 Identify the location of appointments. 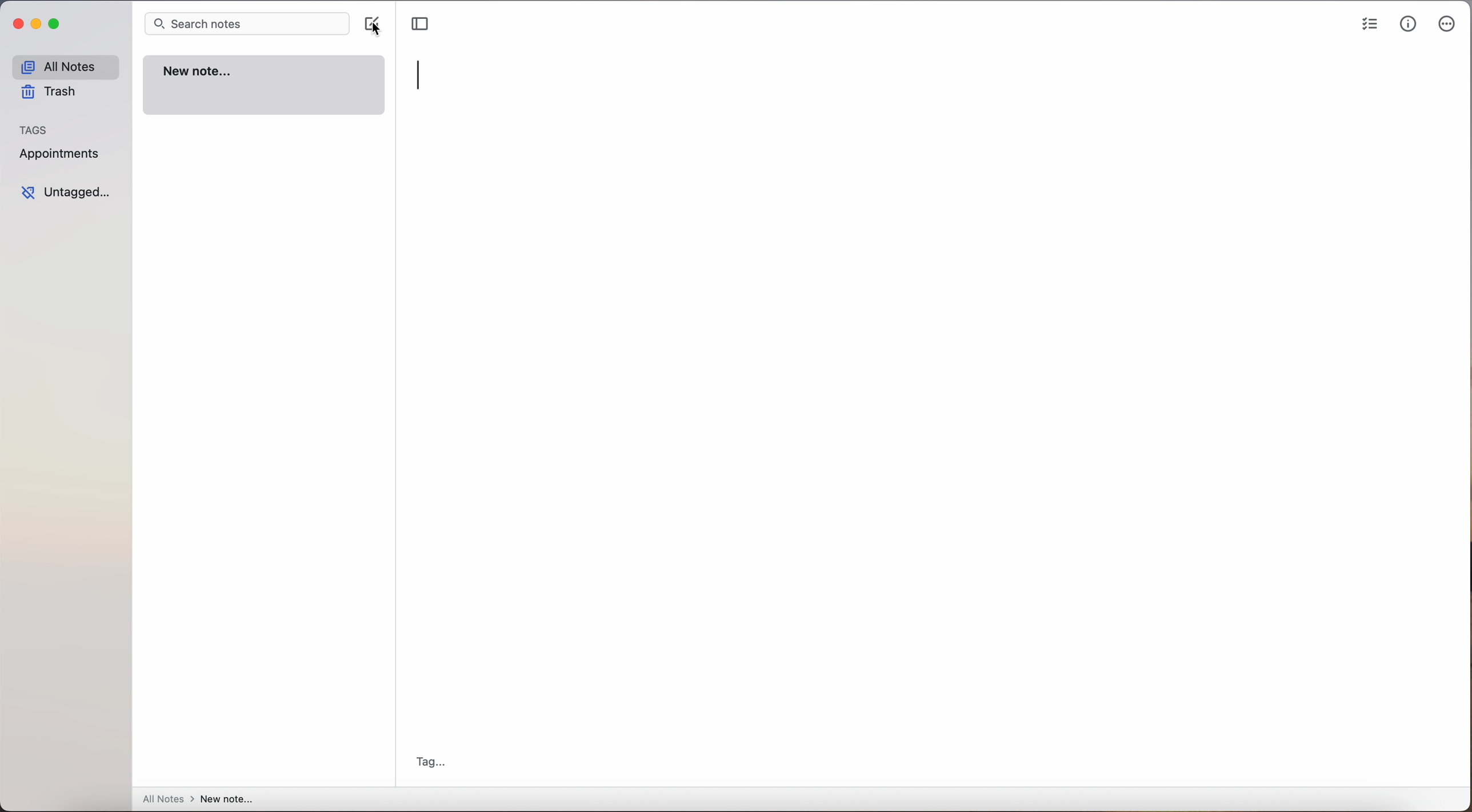
(61, 156).